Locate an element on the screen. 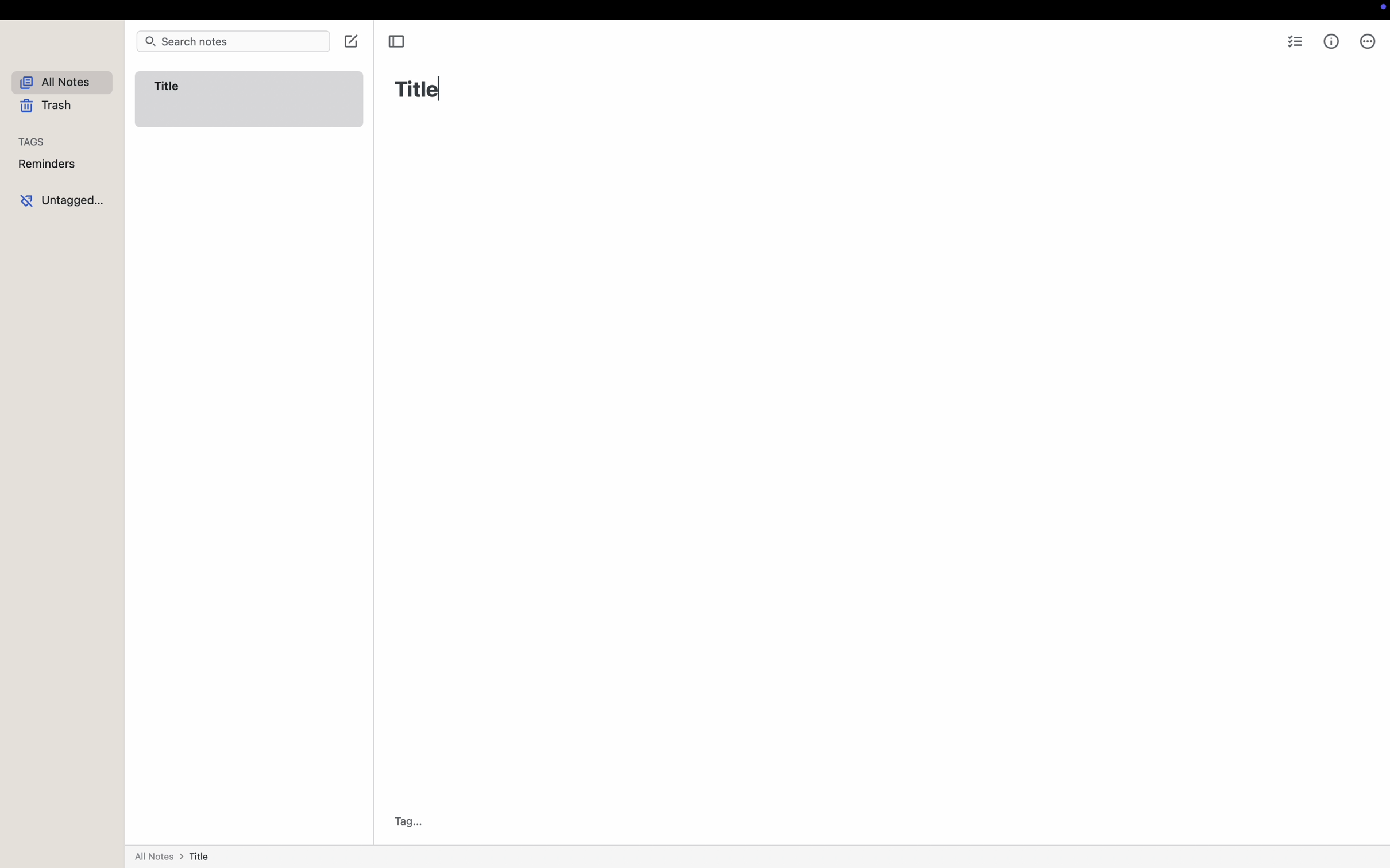 The width and height of the screenshot is (1390, 868). Tag... is located at coordinates (412, 821).